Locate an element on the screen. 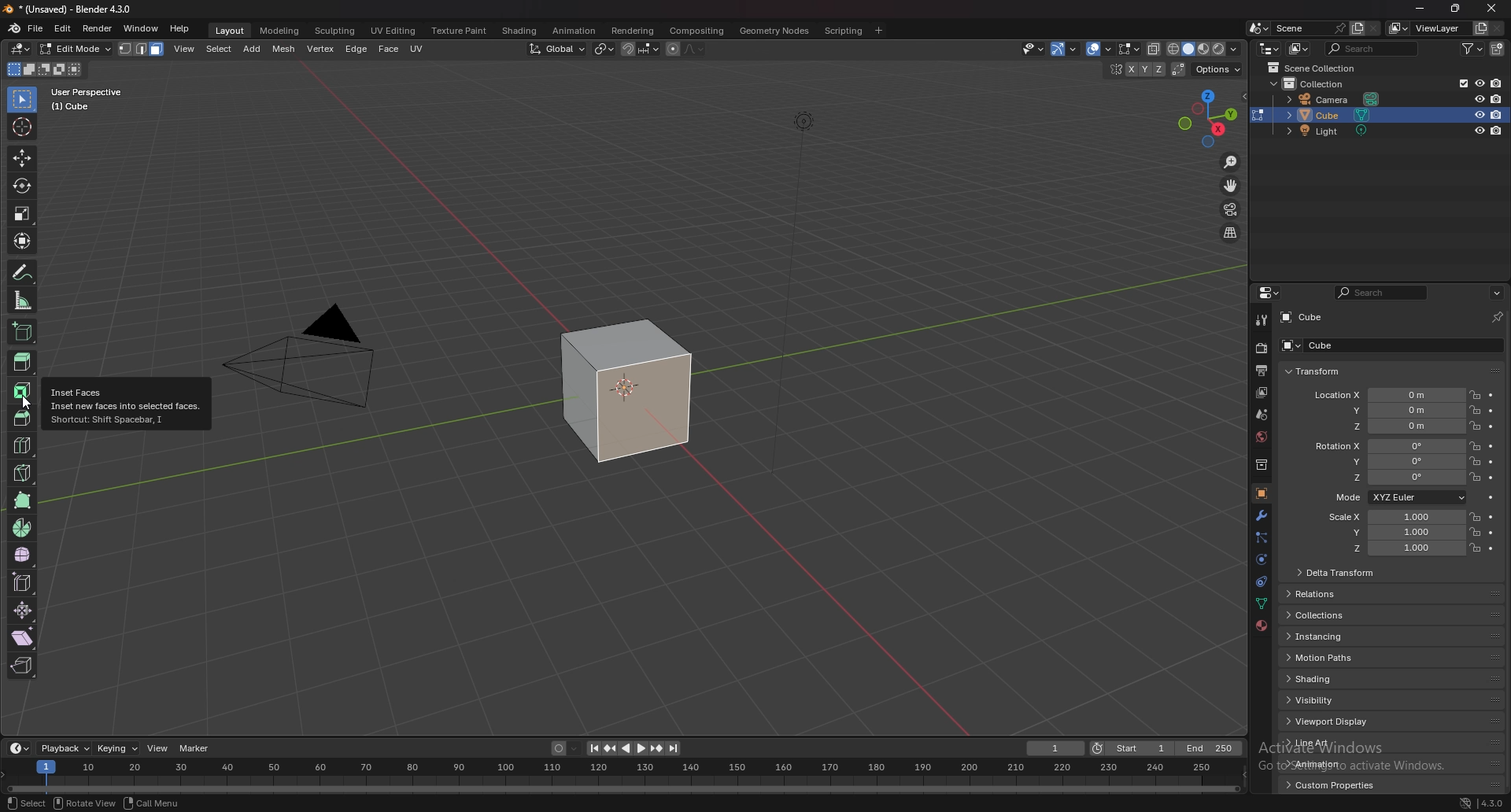 The width and height of the screenshot is (1511, 812). options is located at coordinates (1497, 293).